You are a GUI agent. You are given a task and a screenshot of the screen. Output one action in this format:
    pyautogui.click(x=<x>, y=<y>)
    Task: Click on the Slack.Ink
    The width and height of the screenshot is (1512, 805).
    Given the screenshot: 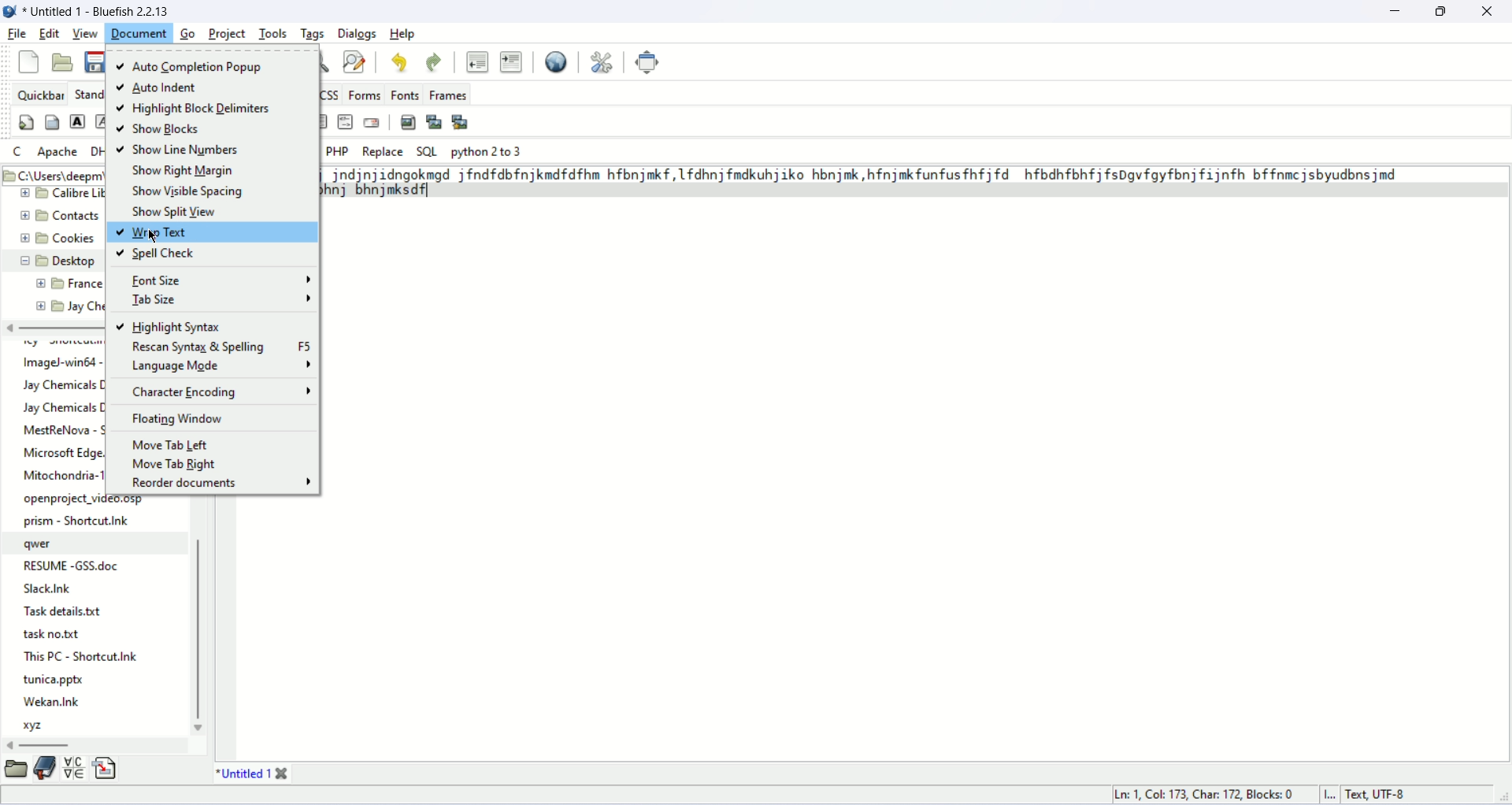 What is the action you would take?
    pyautogui.click(x=43, y=589)
    